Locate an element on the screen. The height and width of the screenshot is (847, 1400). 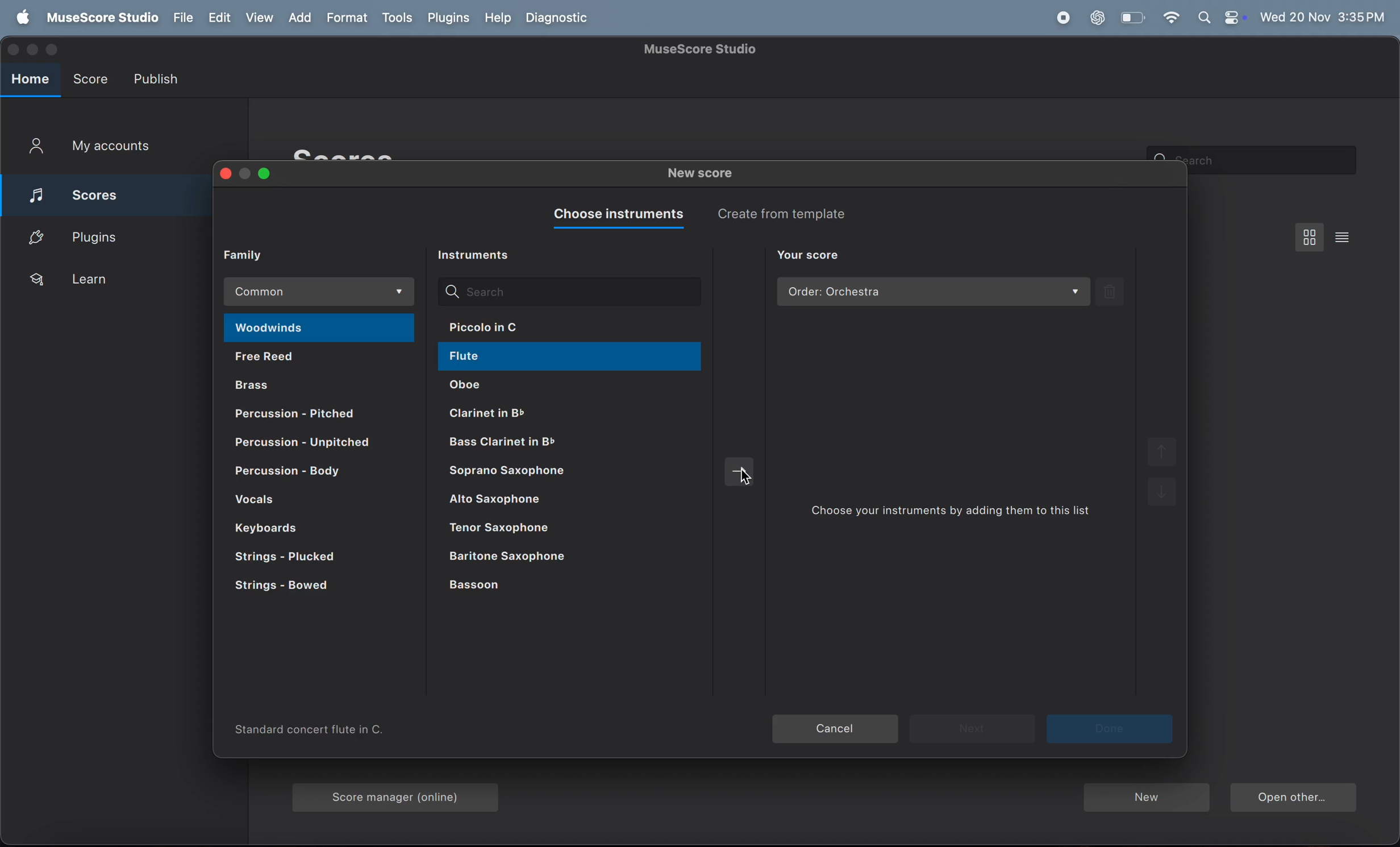
your score is located at coordinates (809, 256).